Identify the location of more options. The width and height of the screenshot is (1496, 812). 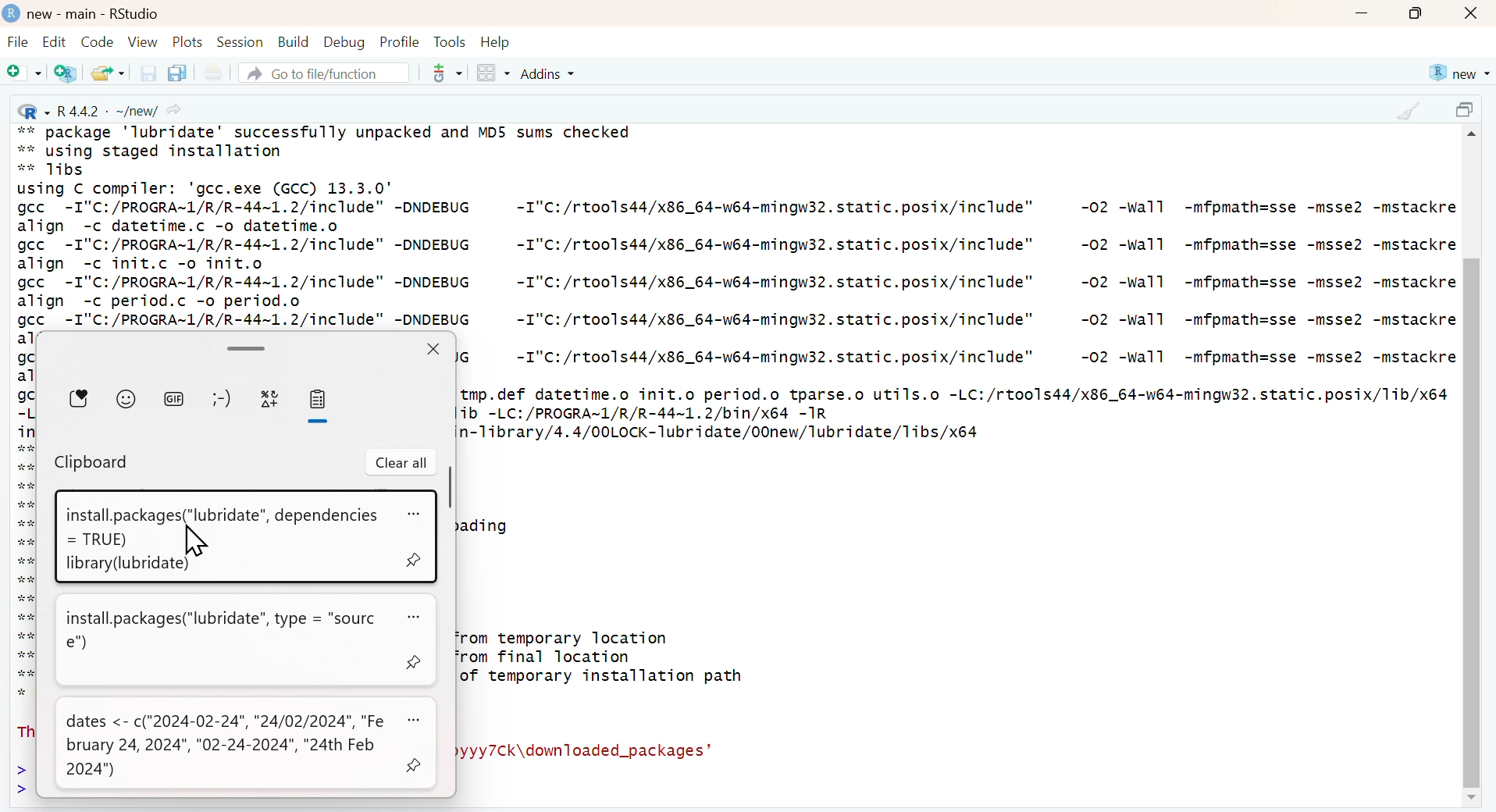
(416, 719).